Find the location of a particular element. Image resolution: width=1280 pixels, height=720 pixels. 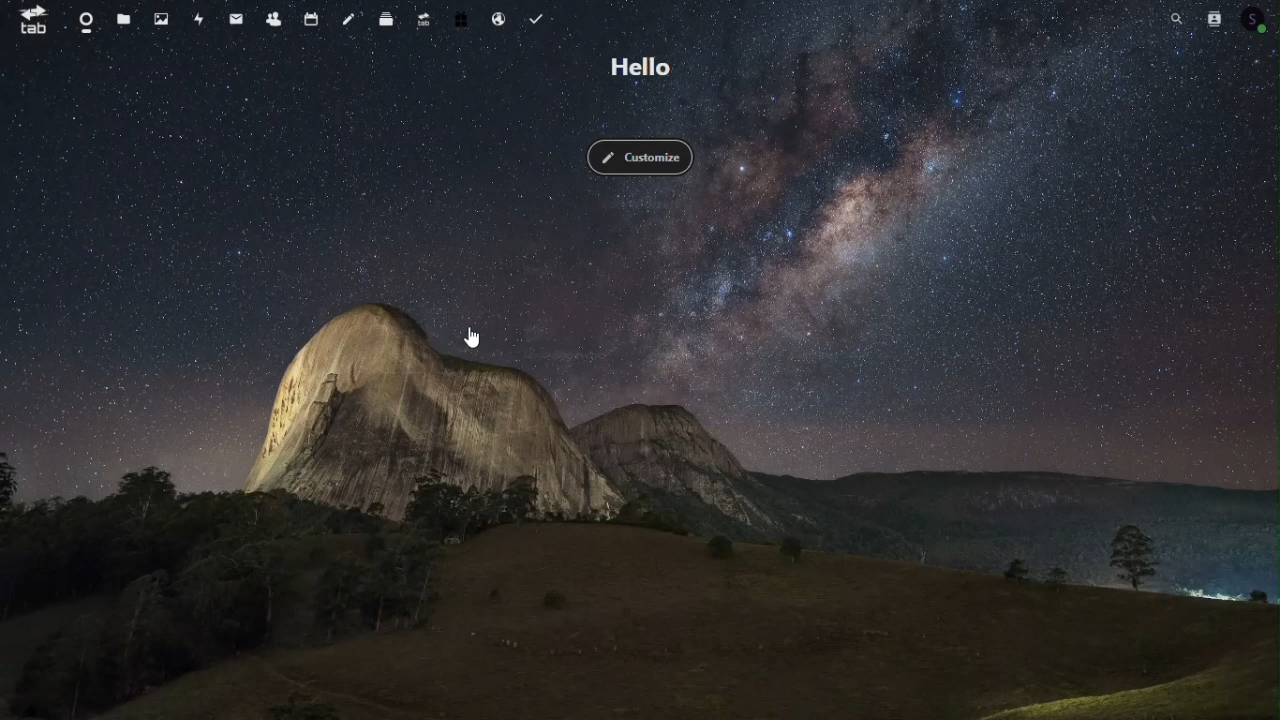

Upgrade is located at coordinates (422, 21).